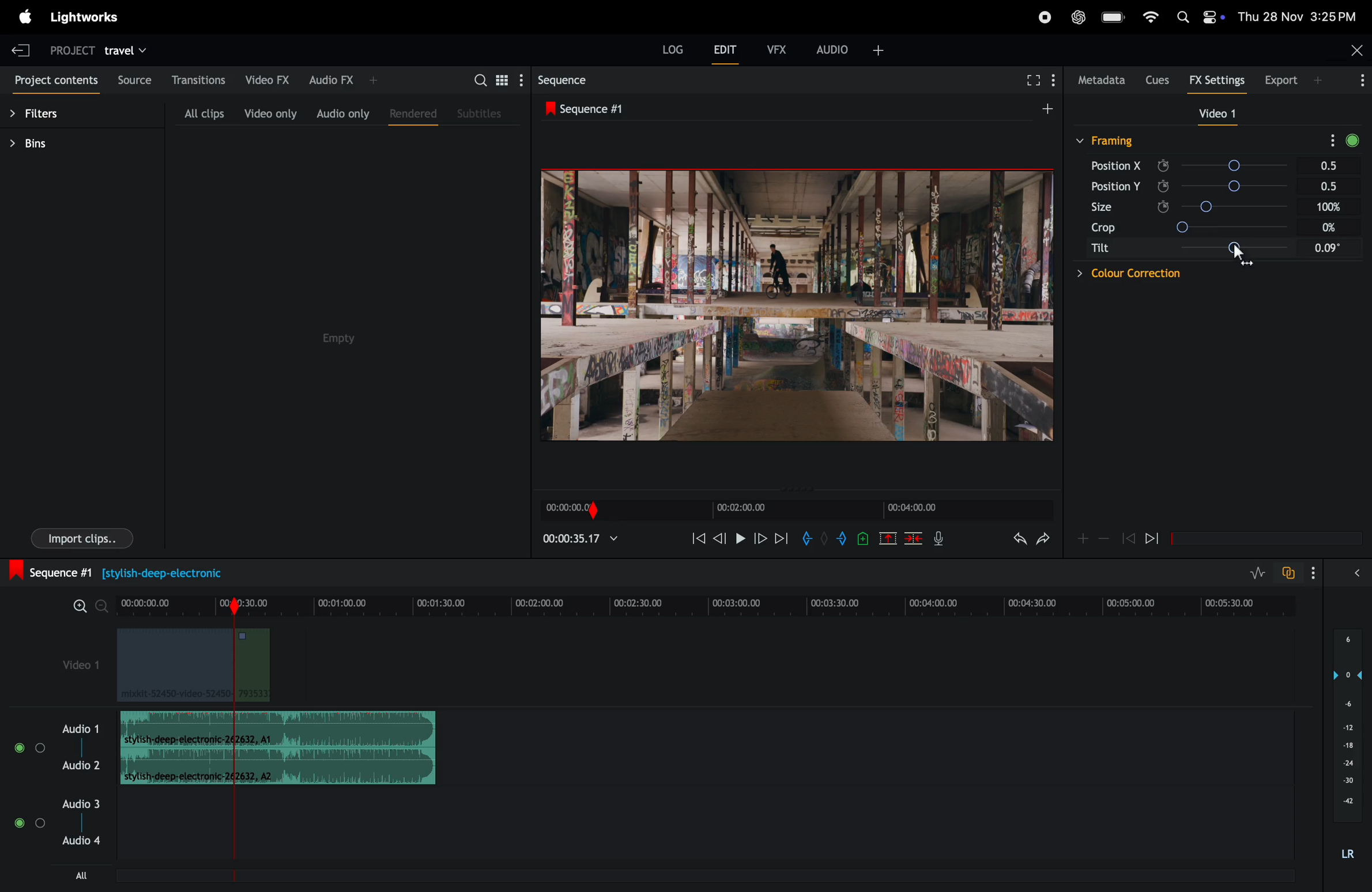  Describe the element at coordinates (229, 841) in the screenshot. I see `playback marker` at that location.